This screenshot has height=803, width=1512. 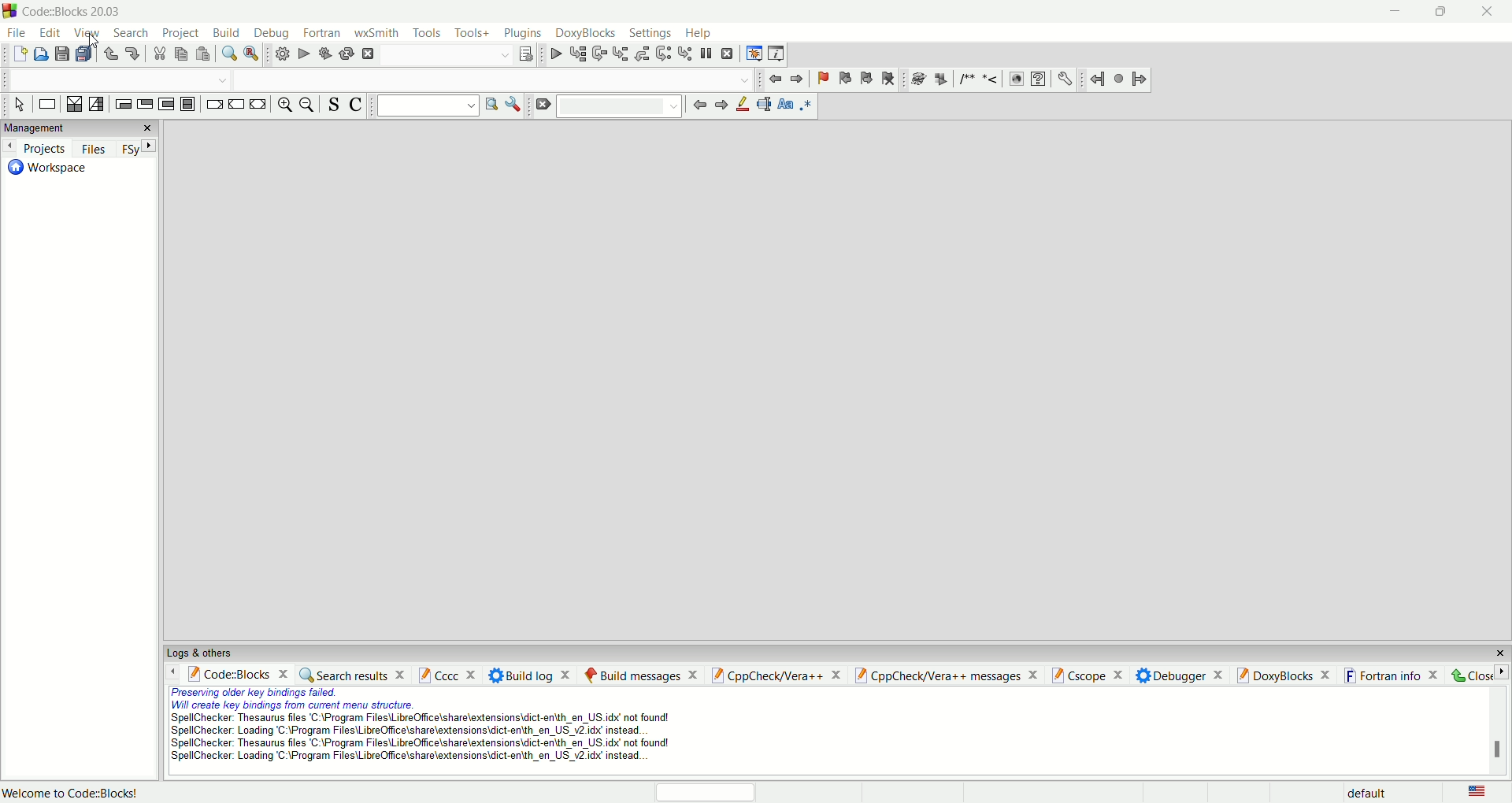 What do you see at coordinates (274, 33) in the screenshot?
I see `debug` at bounding box center [274, 33].